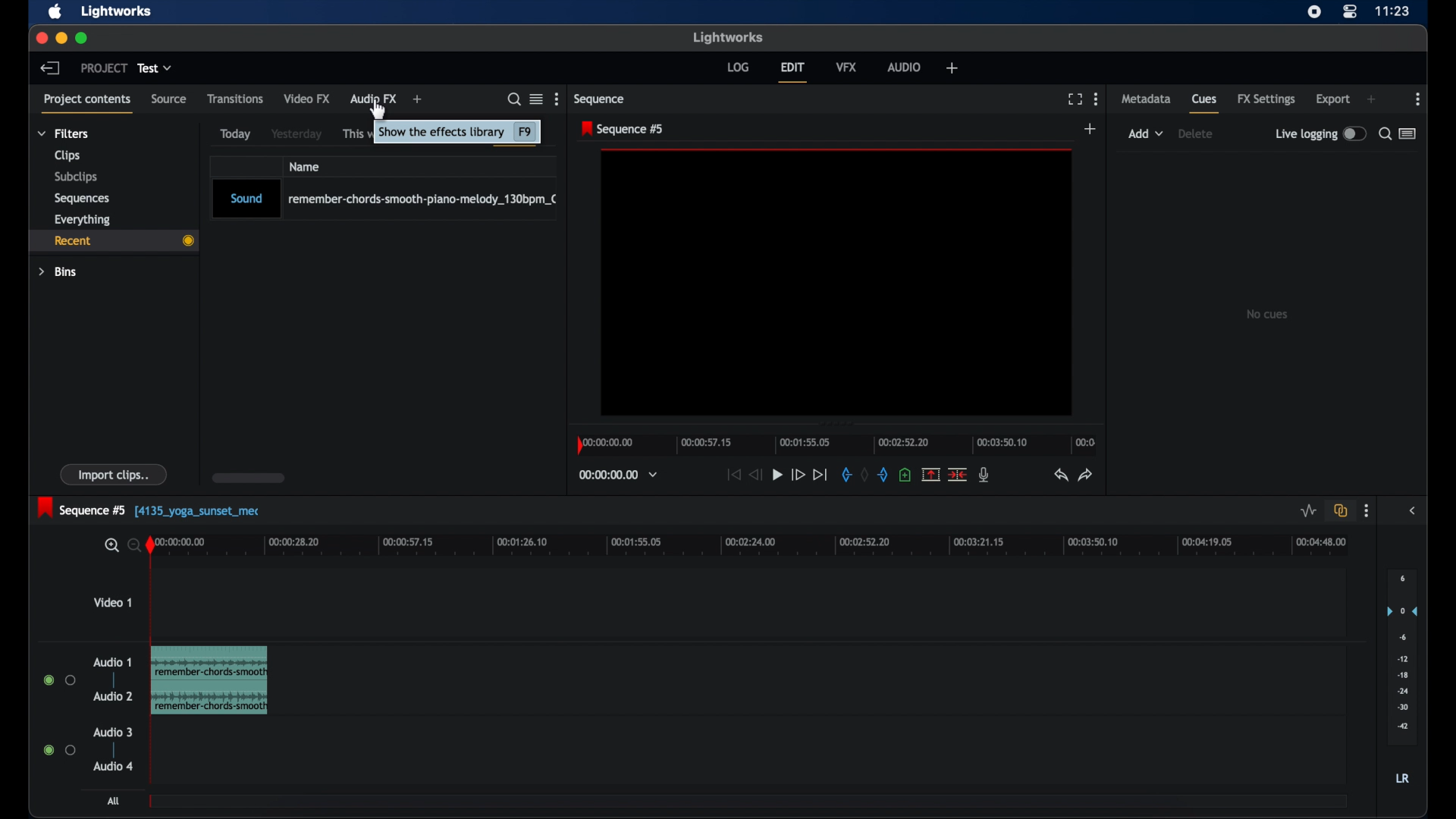 Image resolution: width=1456 pixels, height=819 pixels. I want to click on back, so click(49, 67).